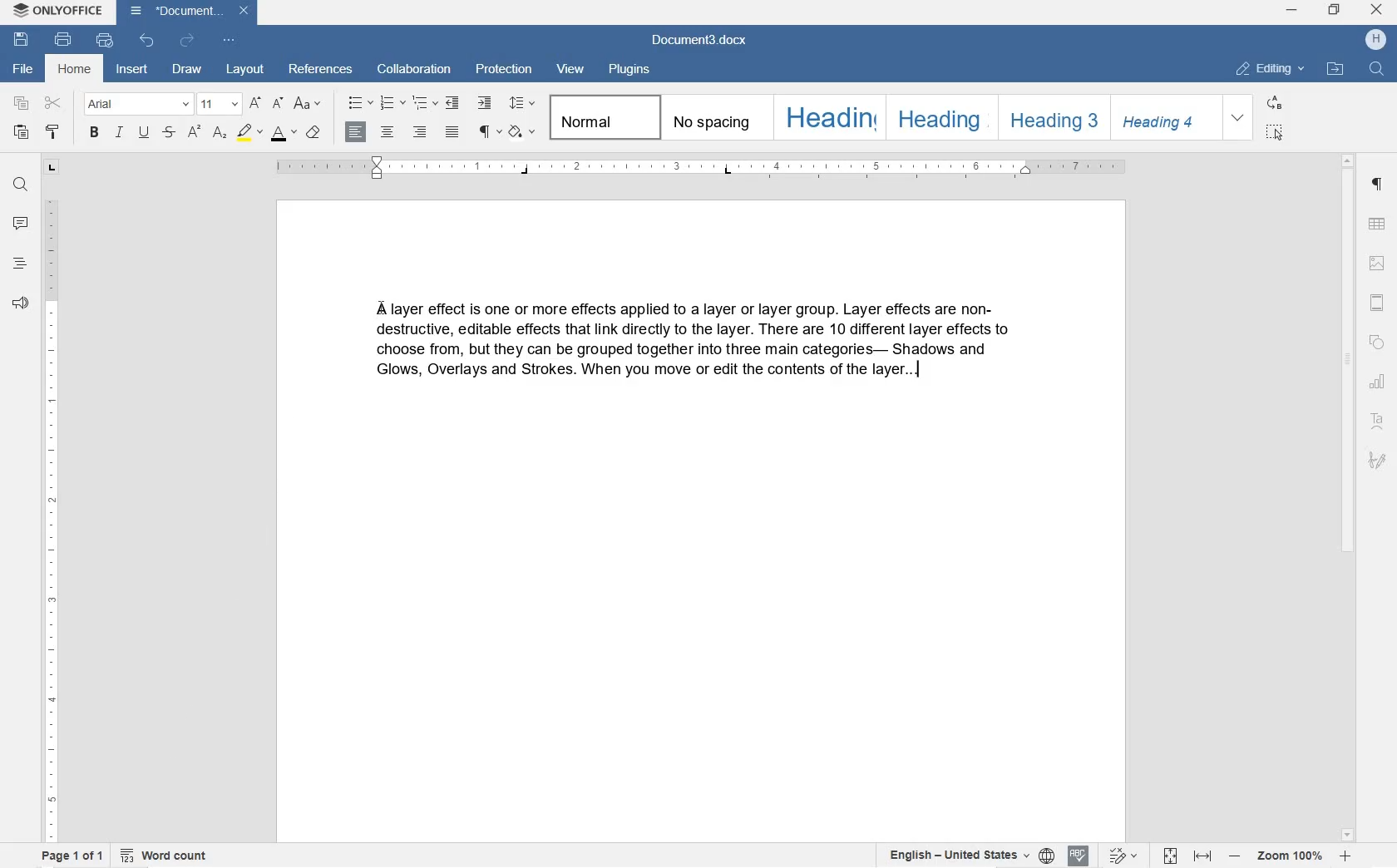  What do you see at coordinates (1379, 264) in the screenshot?
I see `IMAGE` at bounding box center [1379, 264].